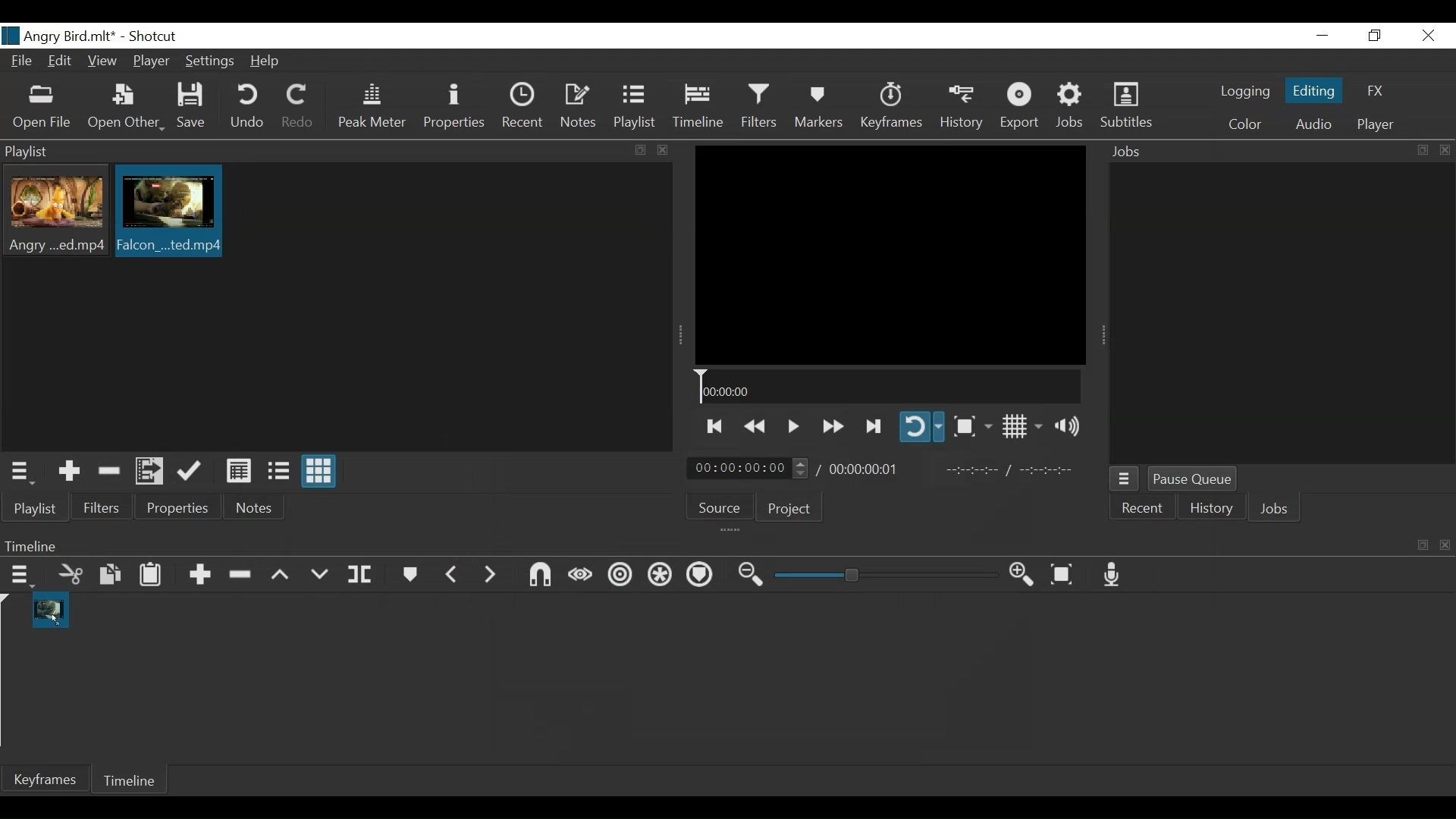 This screenshot has height=819, width=1456. What do you see at coordinates (1112, 574) in the screenshot?
I see `Record audio` at bounding box center [1112, 574].